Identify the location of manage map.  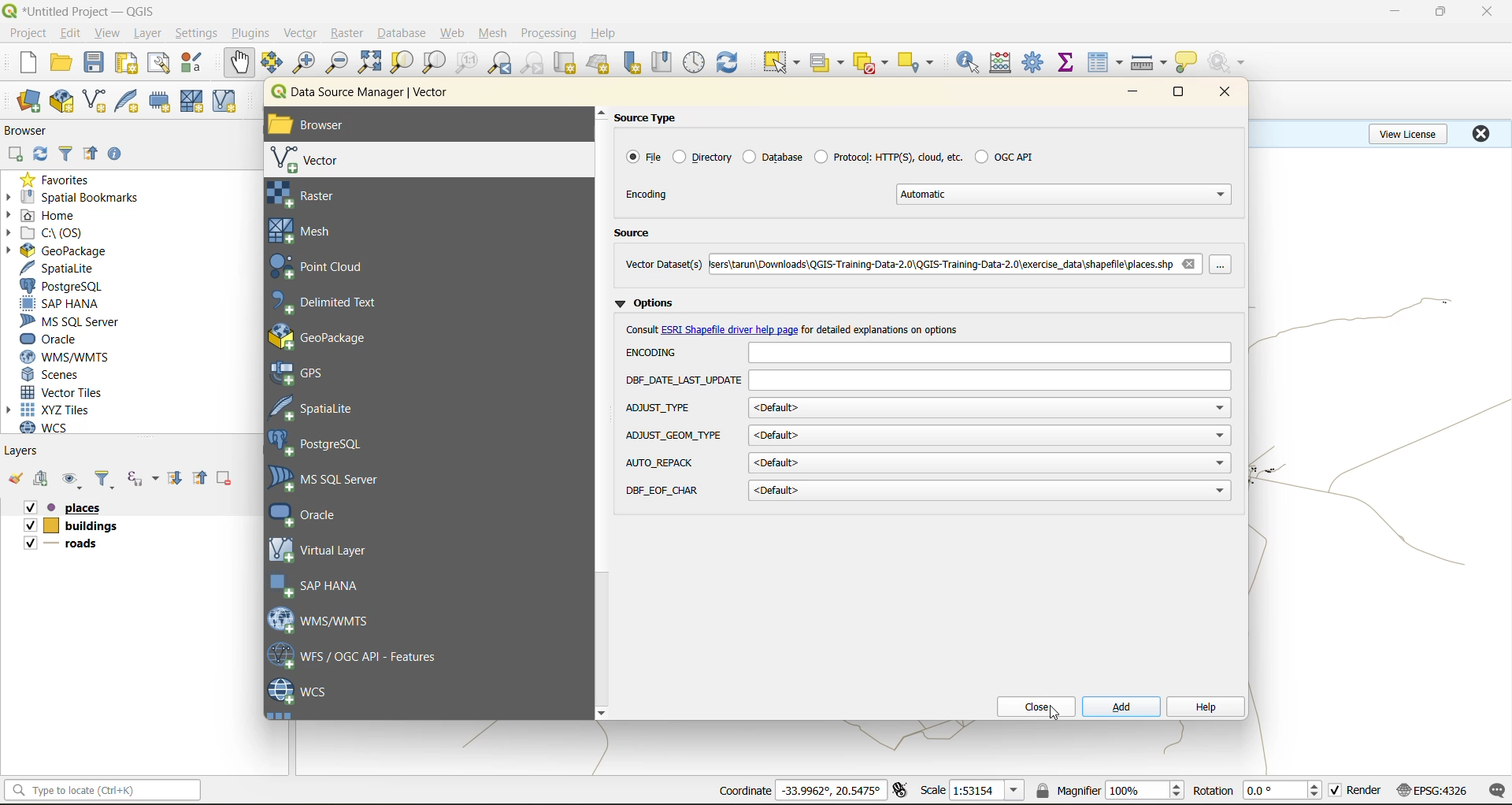
(74, 480).